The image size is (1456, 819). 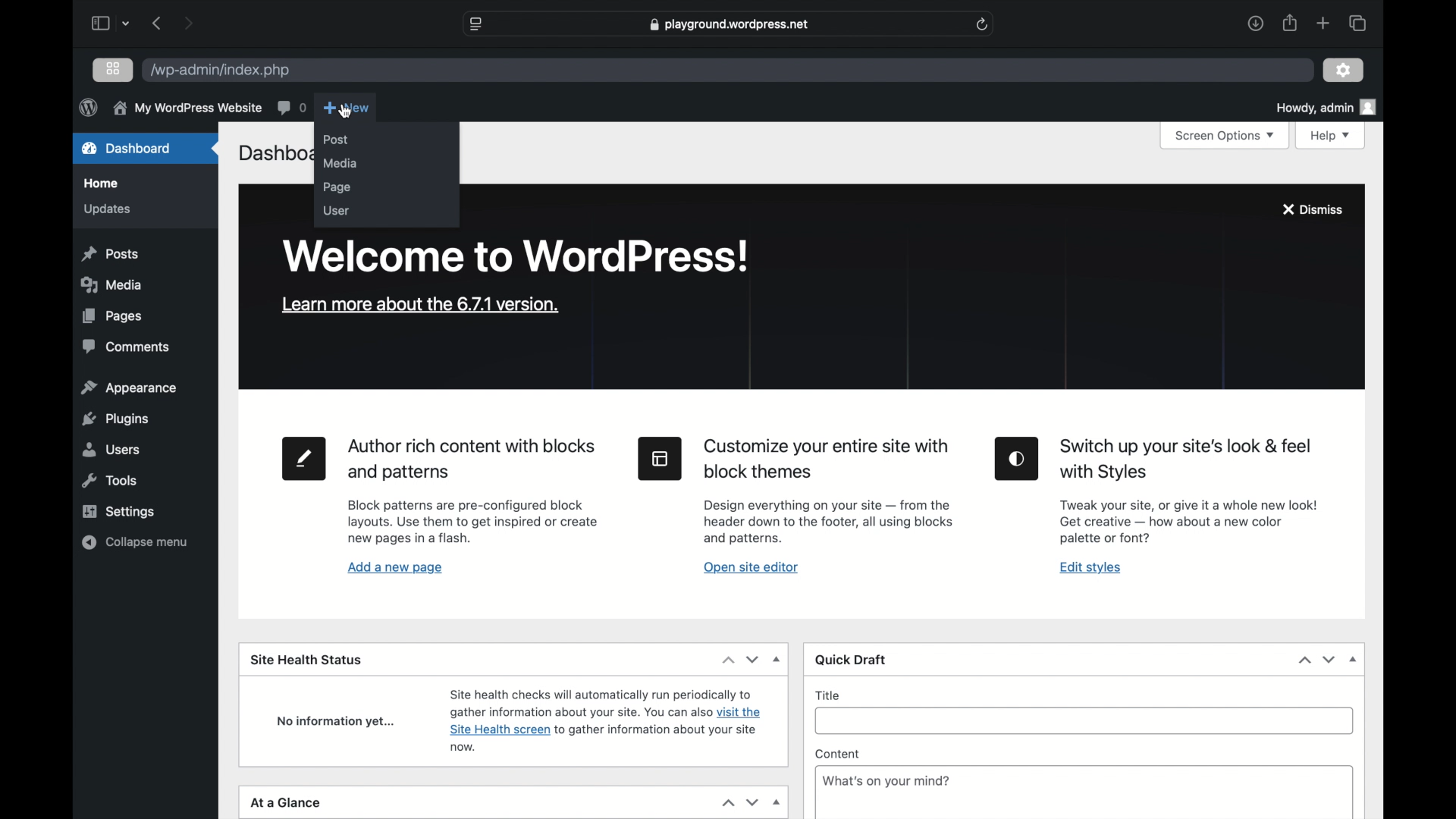 What do you see at coordinates (1354, 660) in the screenshot?
I see `dropdown` at bounding box center [1354, 660].